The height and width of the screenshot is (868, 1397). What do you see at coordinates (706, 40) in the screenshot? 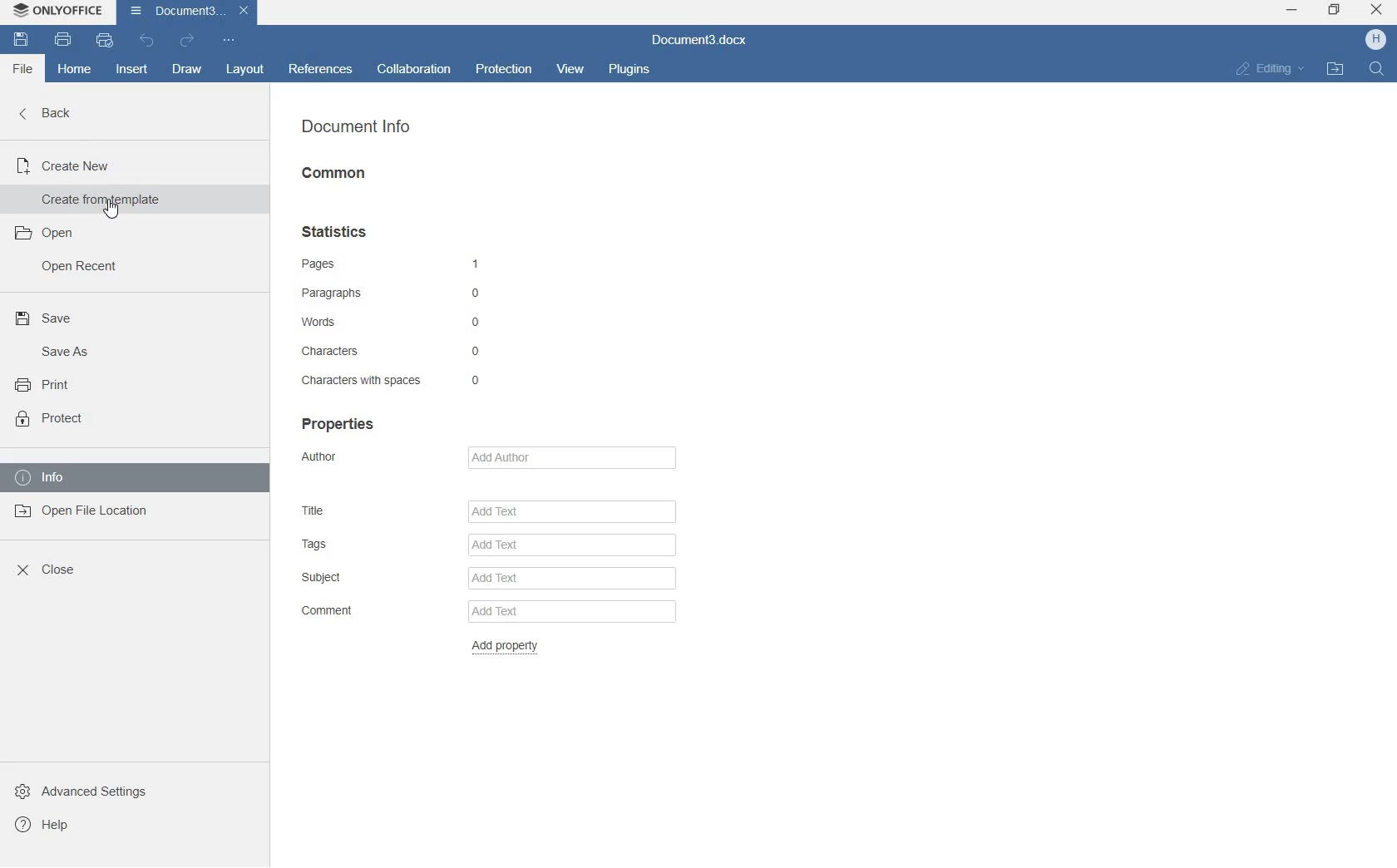
I see `document3.docx` at bounding box center [706, 40].